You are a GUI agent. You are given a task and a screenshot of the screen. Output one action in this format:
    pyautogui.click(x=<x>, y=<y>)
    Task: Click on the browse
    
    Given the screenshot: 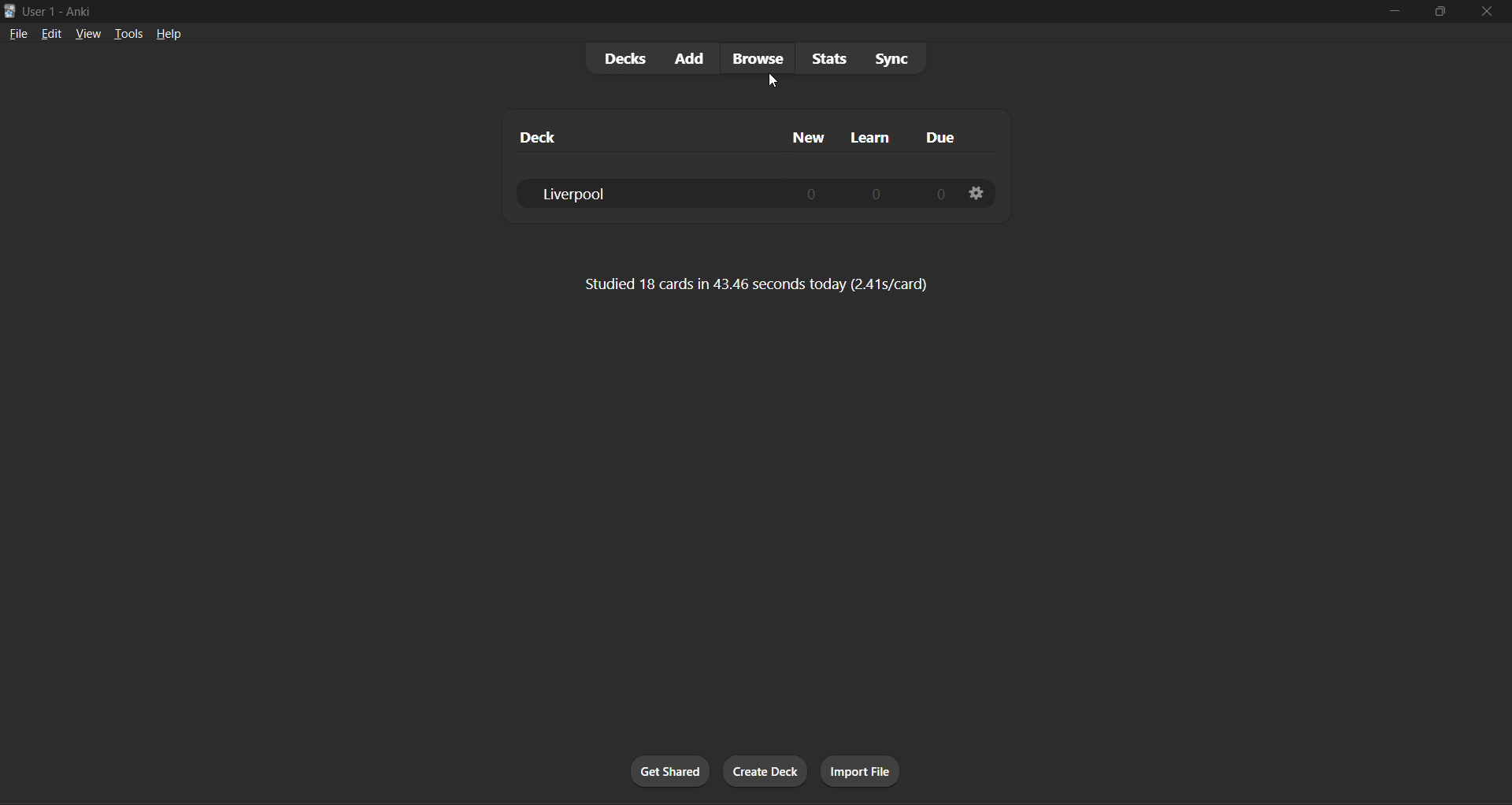 What is the action you would take?
    pyautogui.click(x=756, y=58)
    